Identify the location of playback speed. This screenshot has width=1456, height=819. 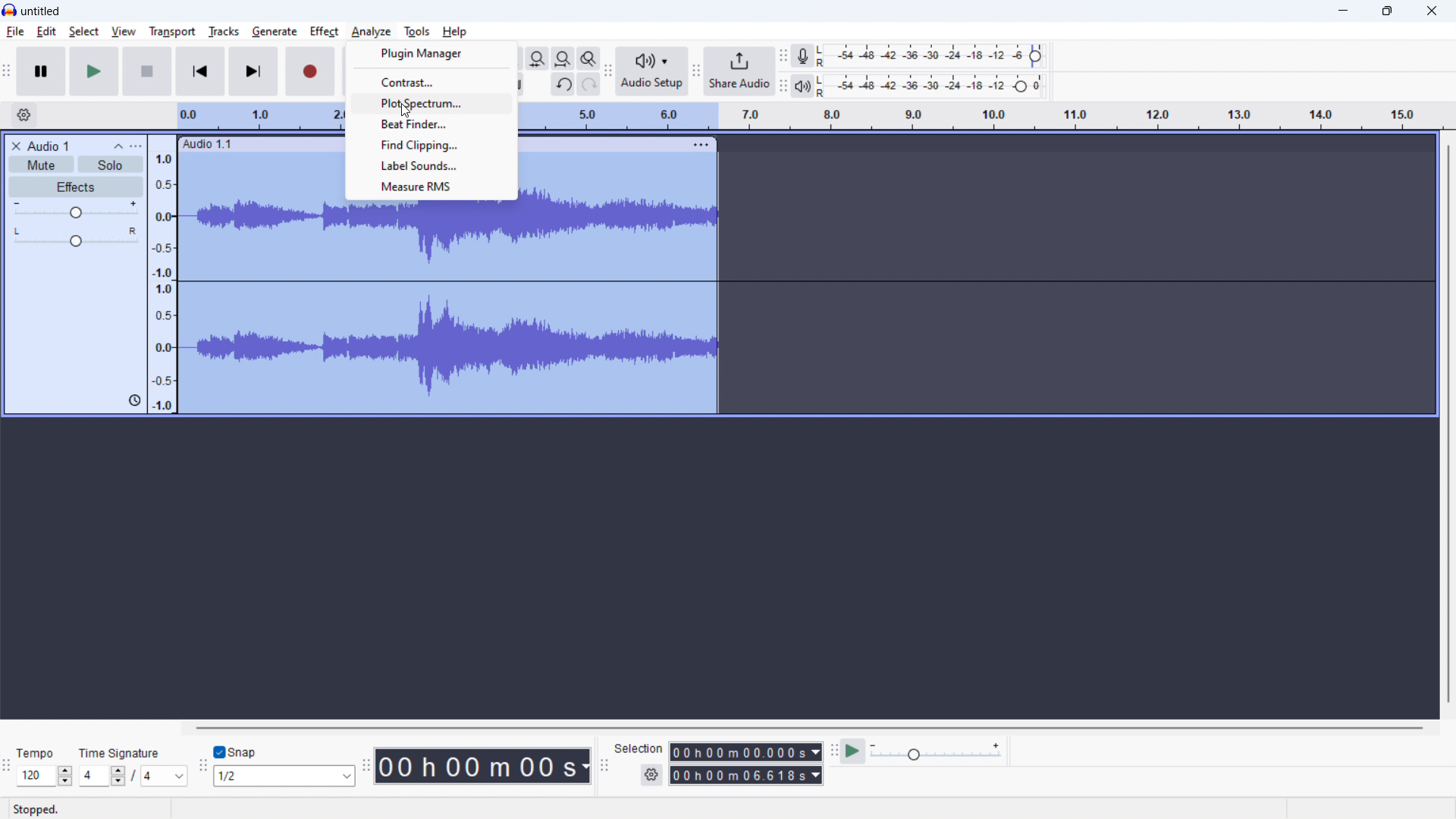
(936, 752).